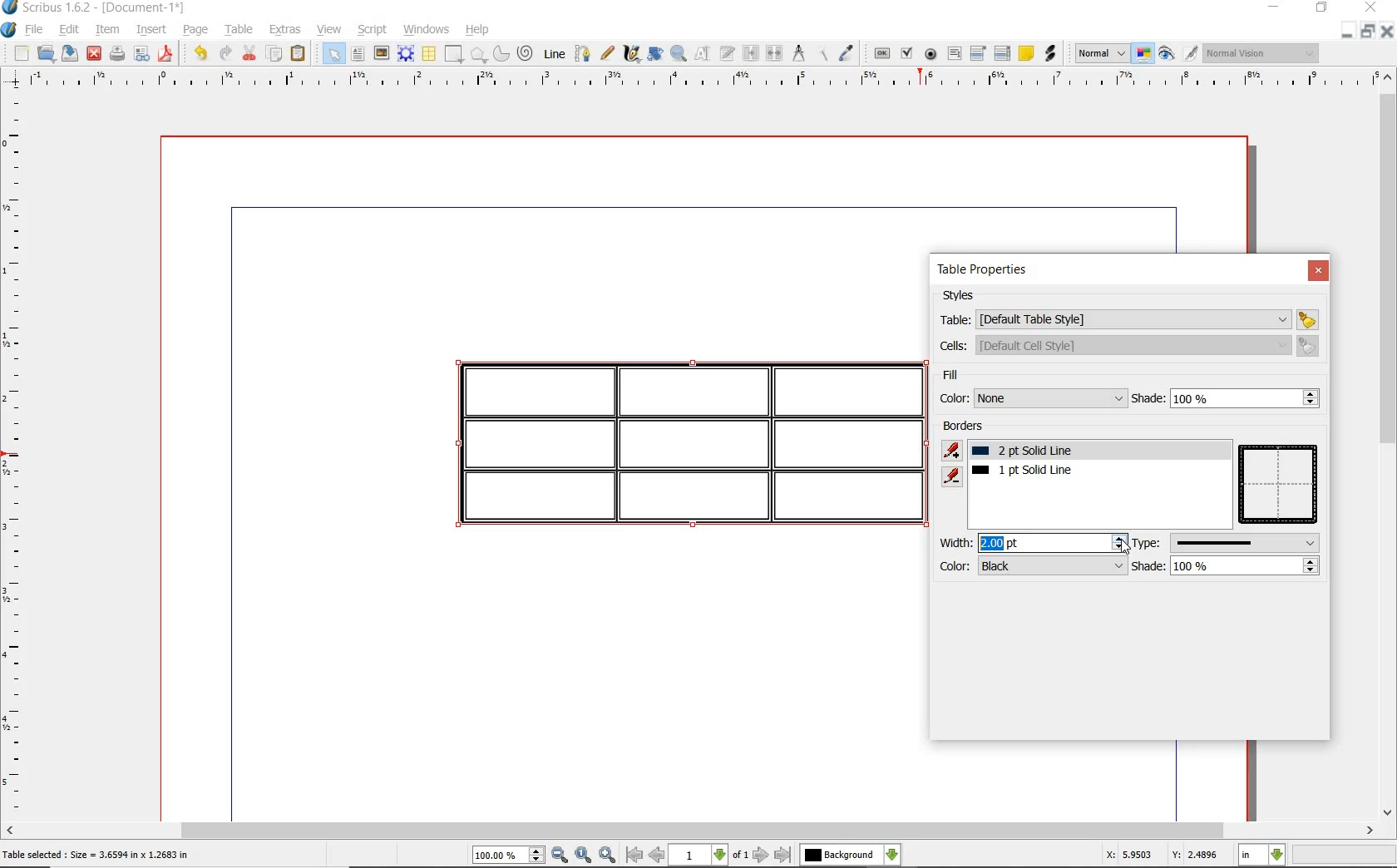  I want to click on add border, so click(954, 450).